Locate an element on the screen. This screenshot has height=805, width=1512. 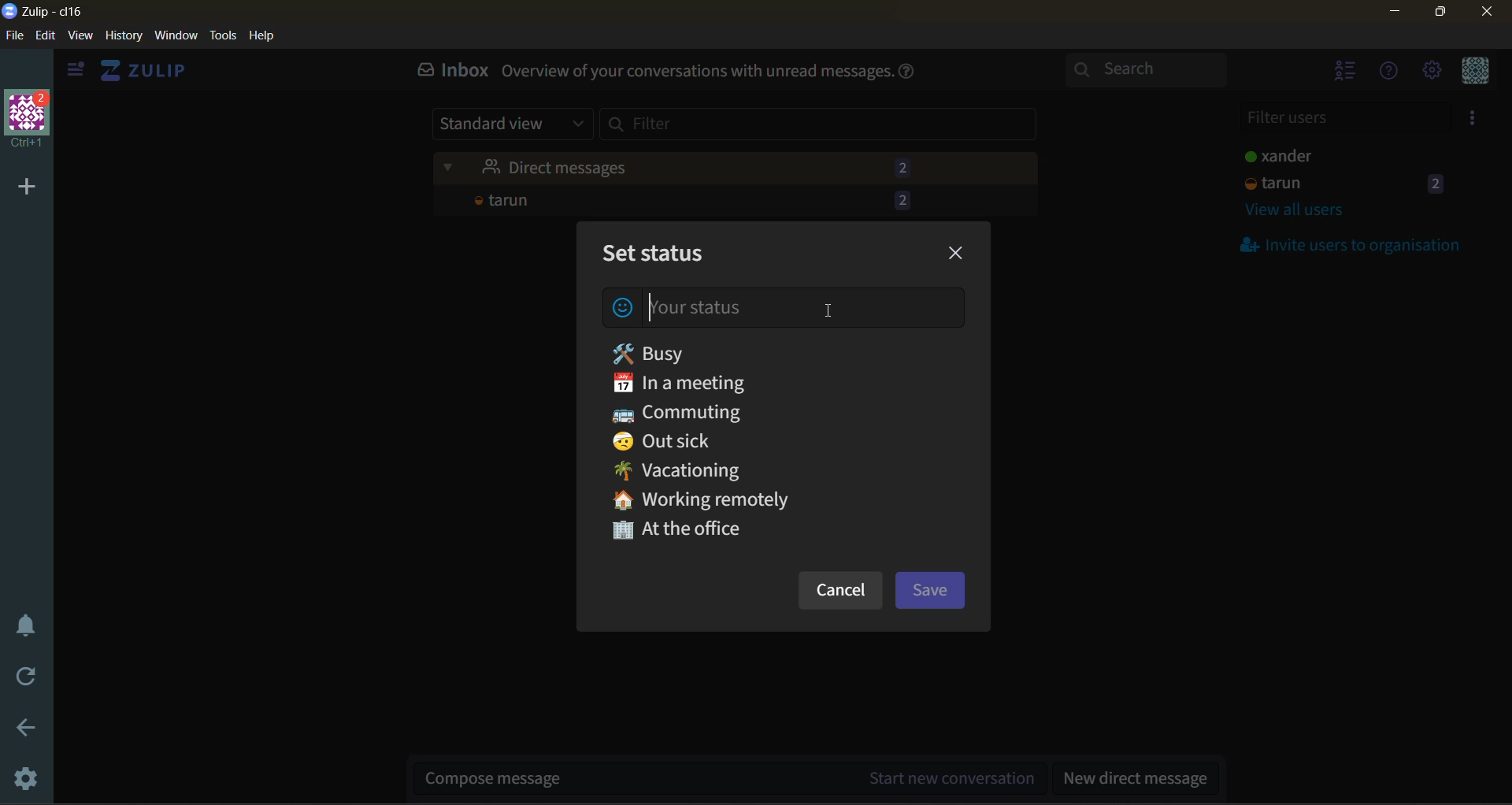
filter is located at coordinates (830, 128).